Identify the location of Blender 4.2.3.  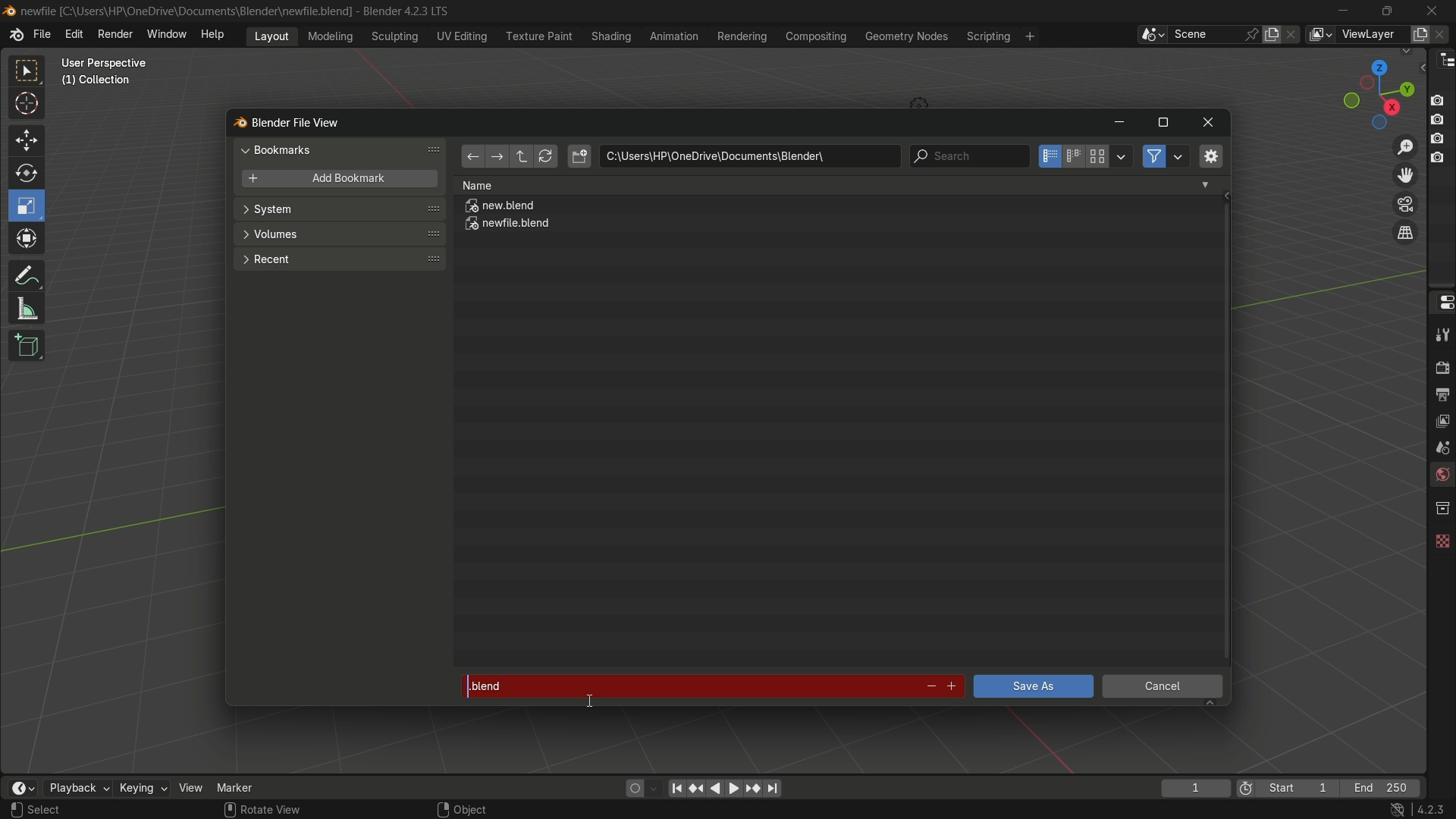
(402, 11).